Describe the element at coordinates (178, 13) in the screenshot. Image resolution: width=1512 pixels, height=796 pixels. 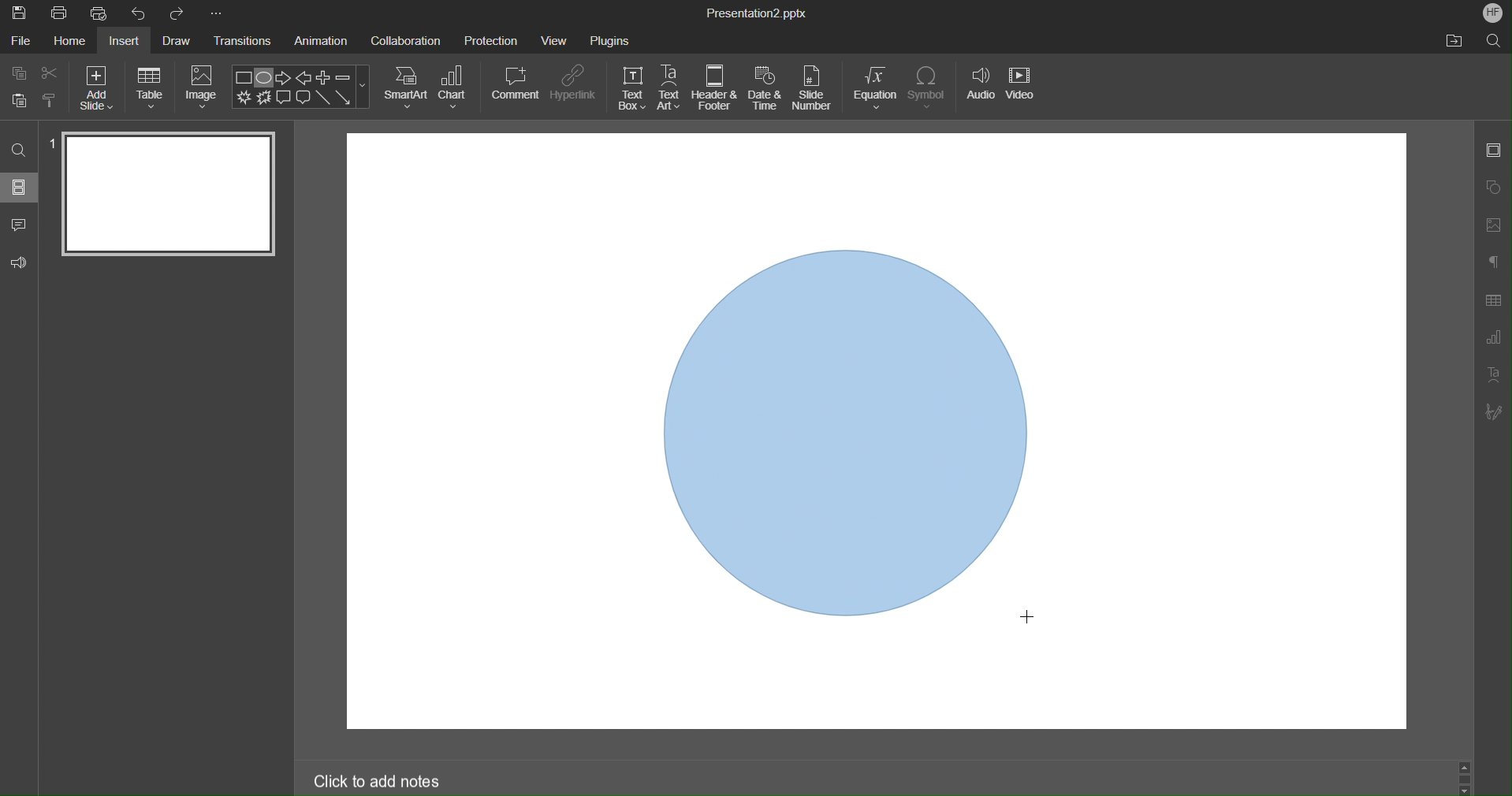
I see `Redo` at that location.